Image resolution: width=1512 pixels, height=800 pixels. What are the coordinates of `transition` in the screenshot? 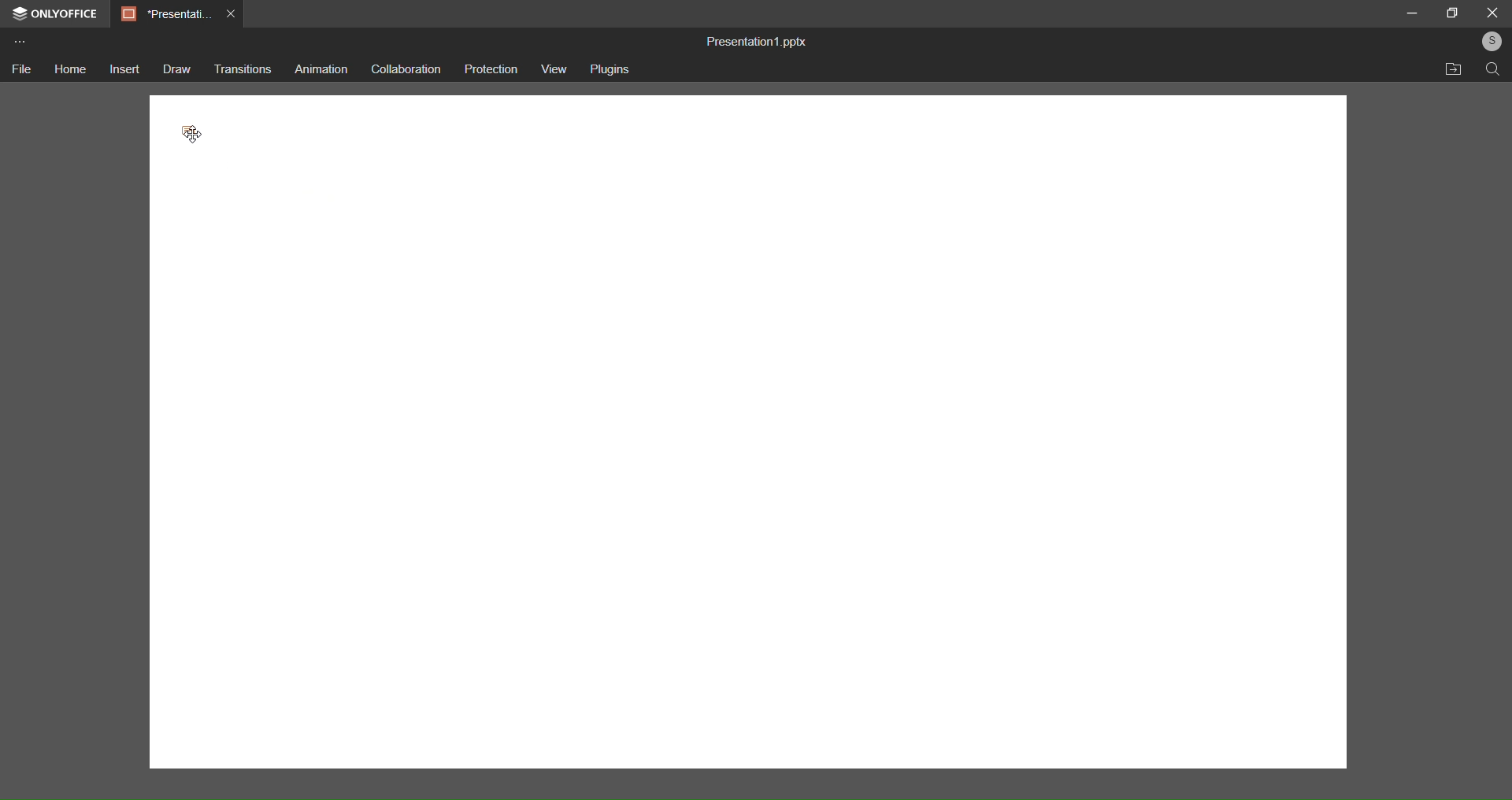 It's located at (241, 68).